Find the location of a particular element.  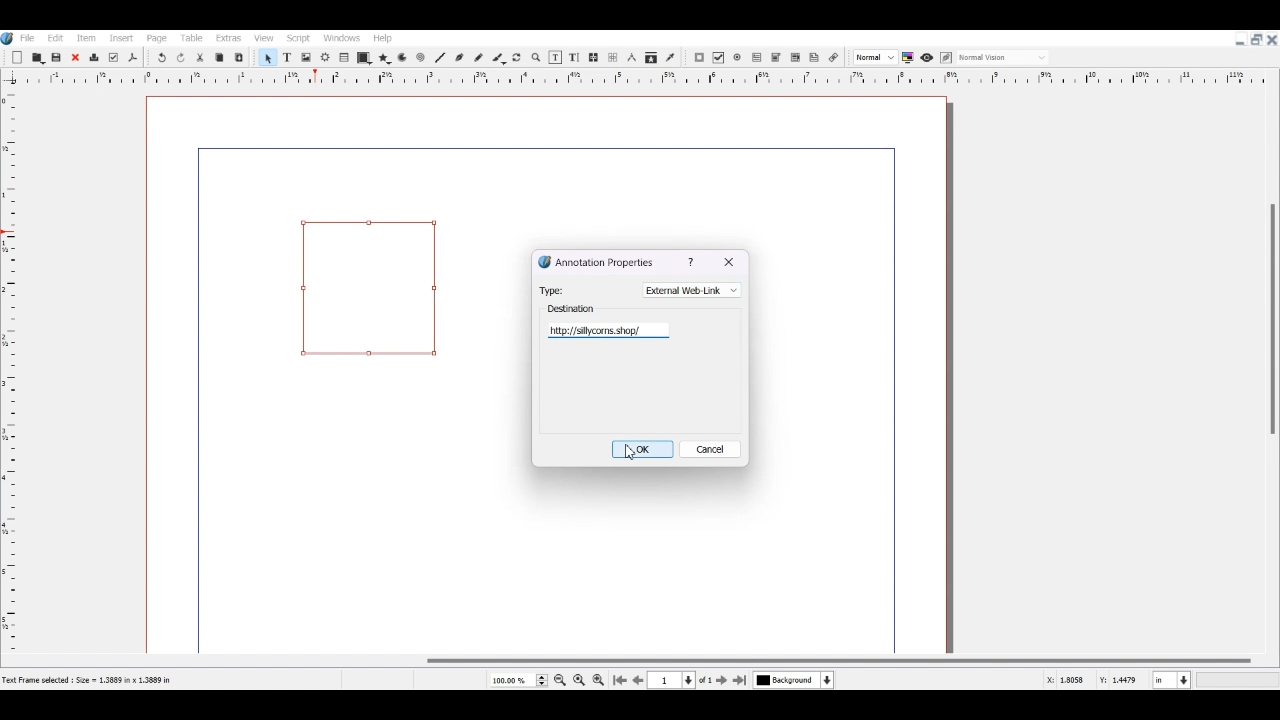

Zoom to 100% is located at coordinates (579, 679).